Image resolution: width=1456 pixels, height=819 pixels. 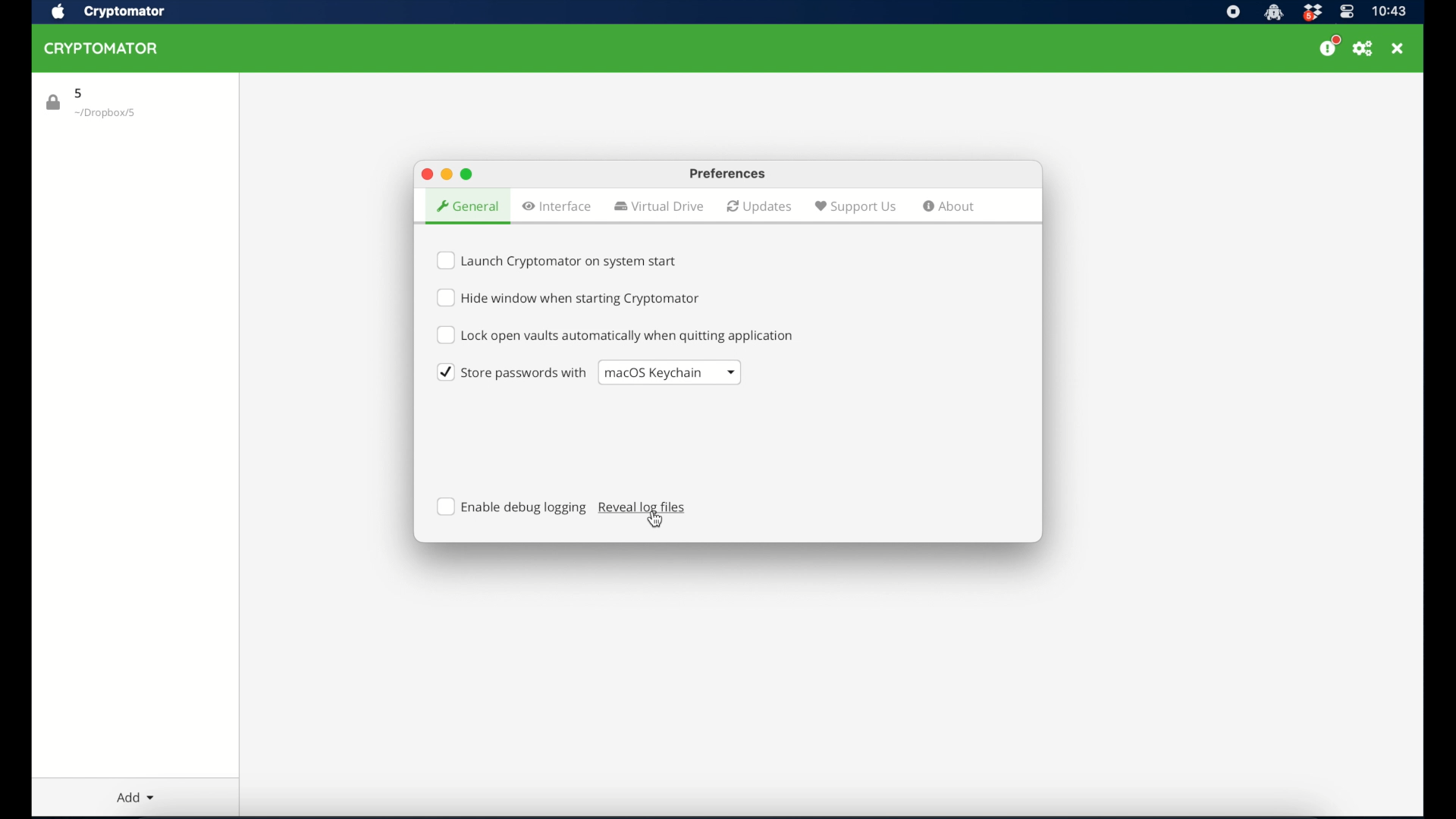 What do you see at coordinates (1273, 13) in the screenshot?
I see `cryptomator icon` at bounding box center [1273, 13].